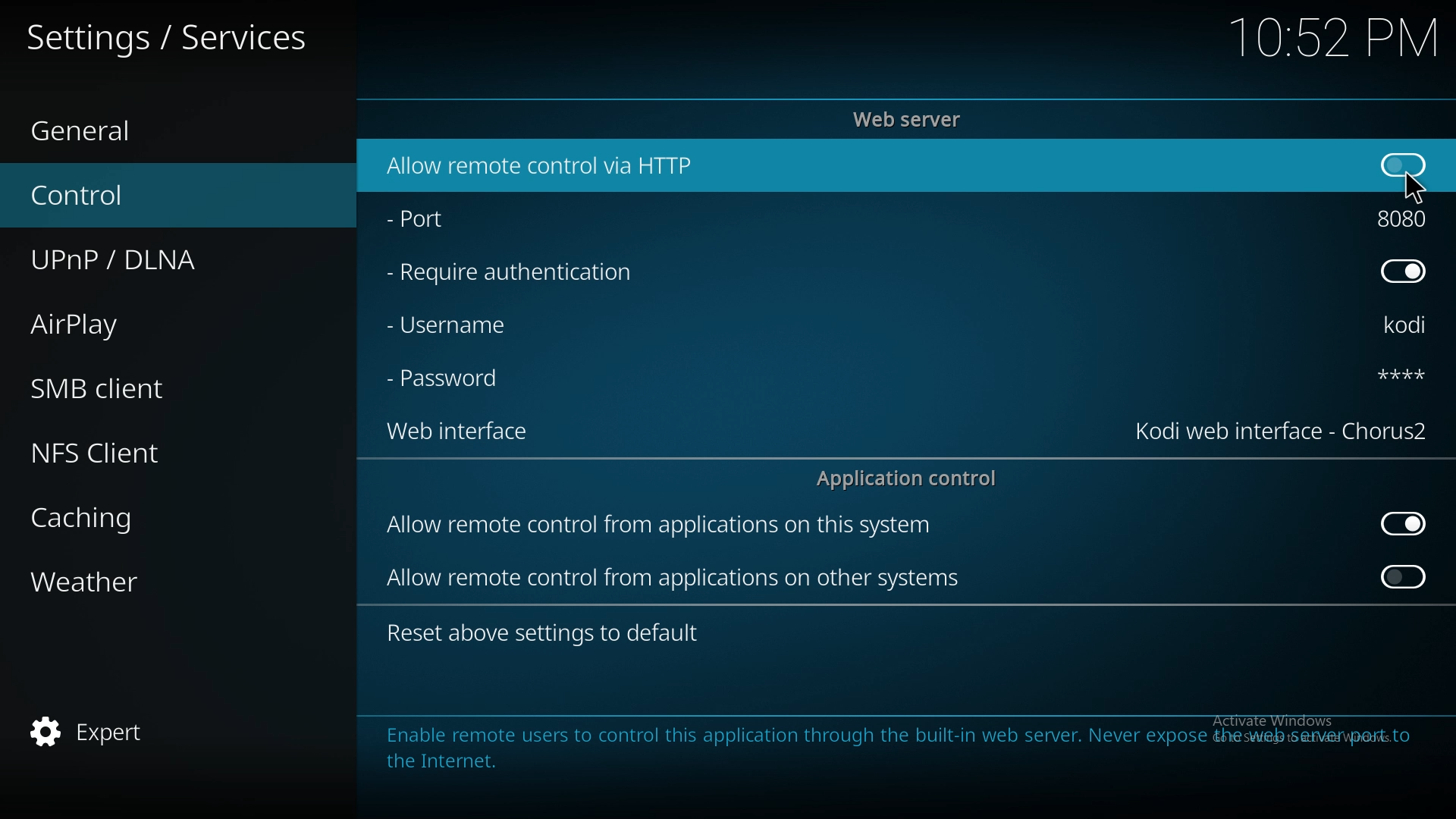 This screenshot has height=819, width=1456. What do you see at coordinates (162, 260) in the screenshot?
I see `upnp/dlna` at bounding box center [162, 260].